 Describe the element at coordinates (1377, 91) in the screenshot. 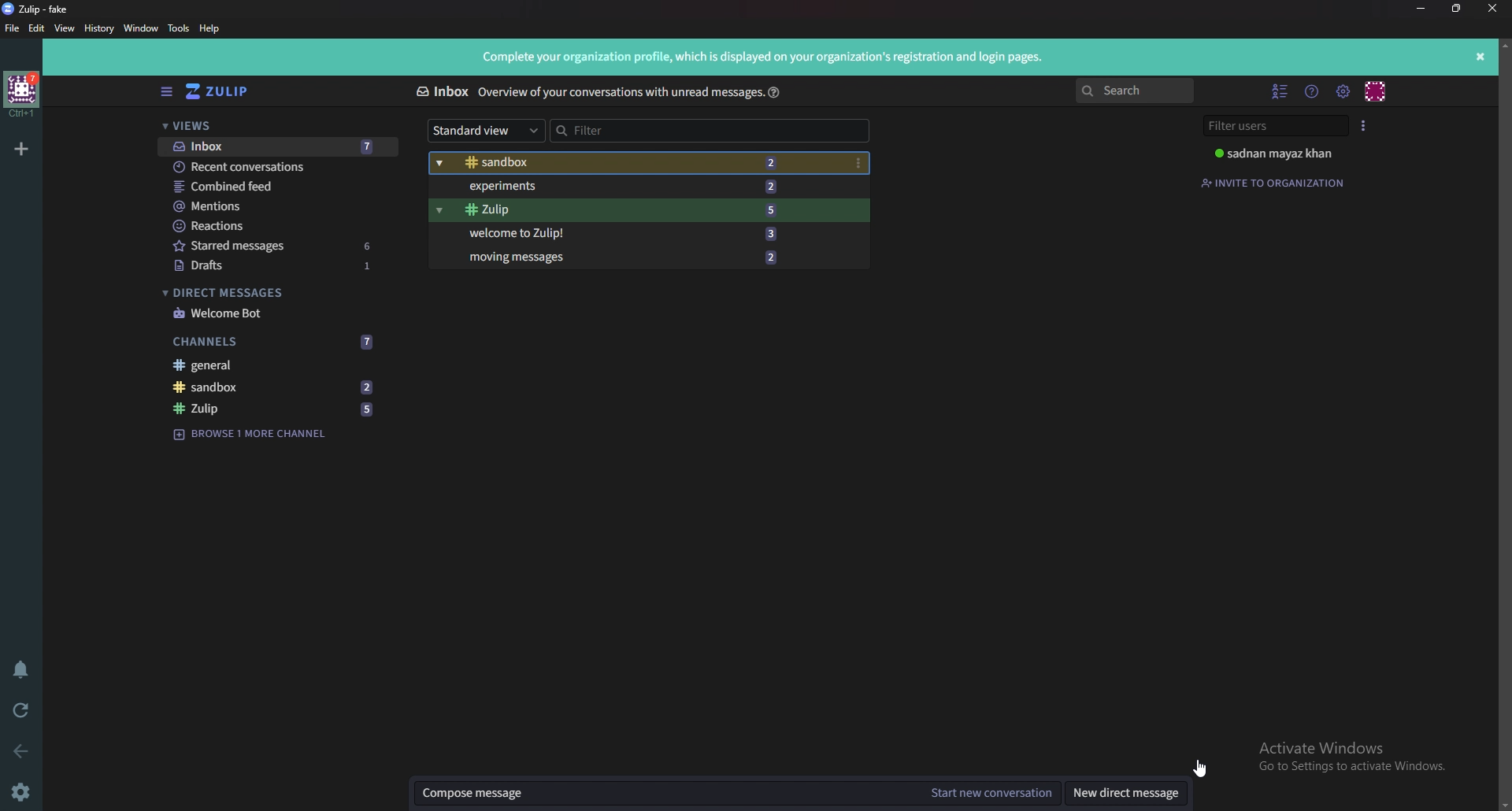

I see `Personal Menu` at that location.